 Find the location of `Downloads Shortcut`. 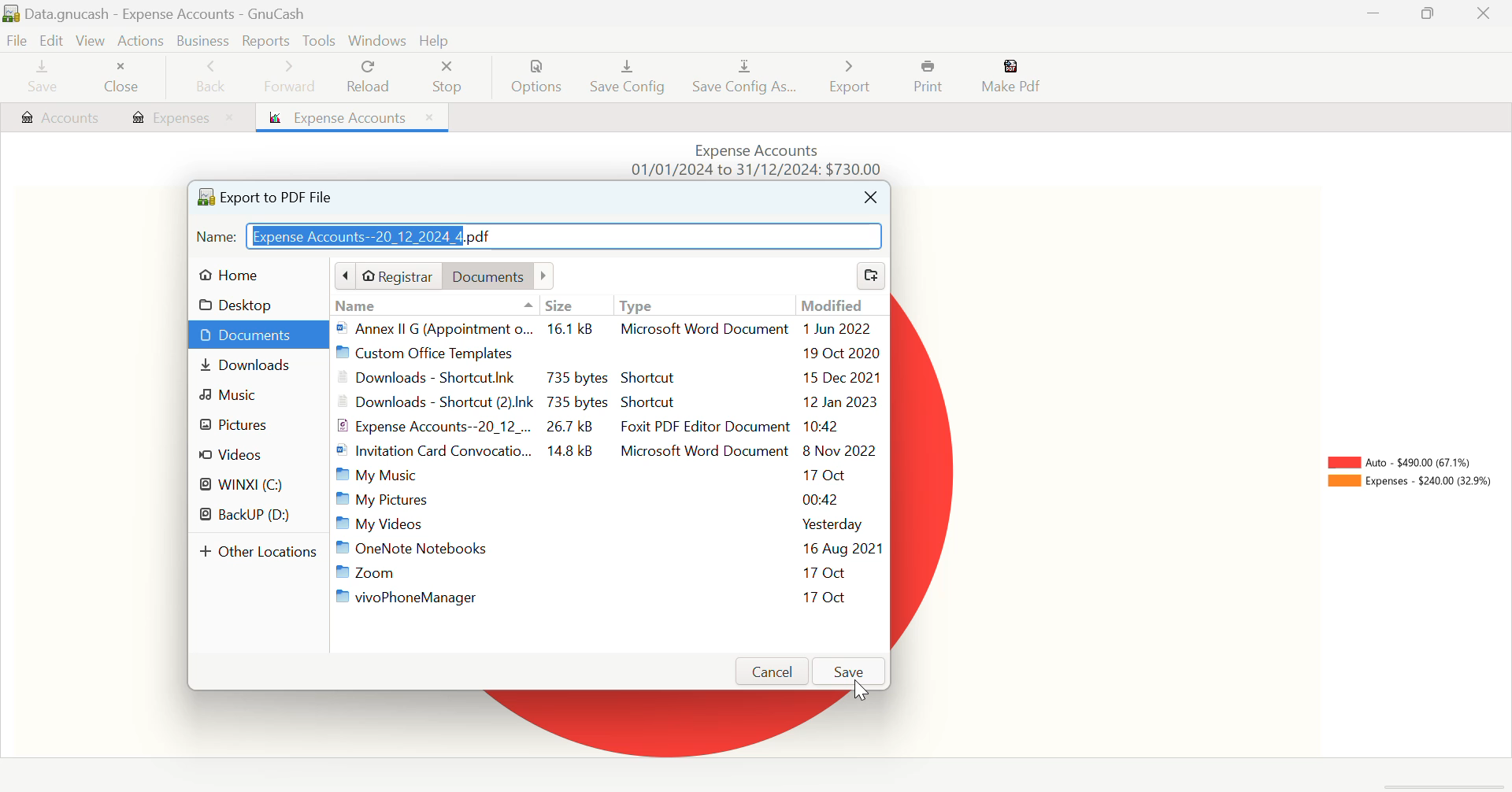

Downloads Shortcut is located at coordinates (610, 404).